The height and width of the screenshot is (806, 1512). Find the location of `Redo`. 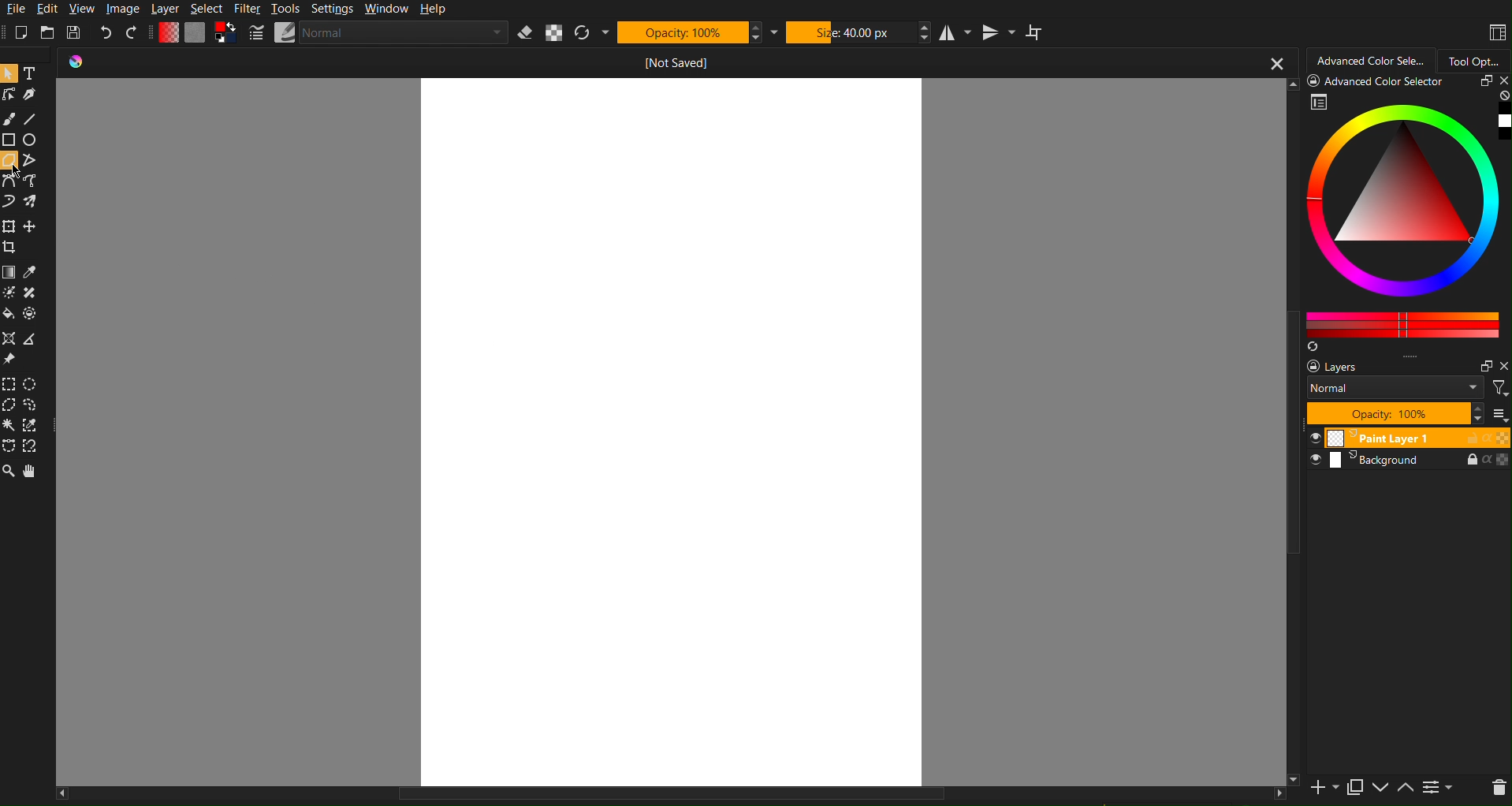

Redo is located at coordinates (132, 32).